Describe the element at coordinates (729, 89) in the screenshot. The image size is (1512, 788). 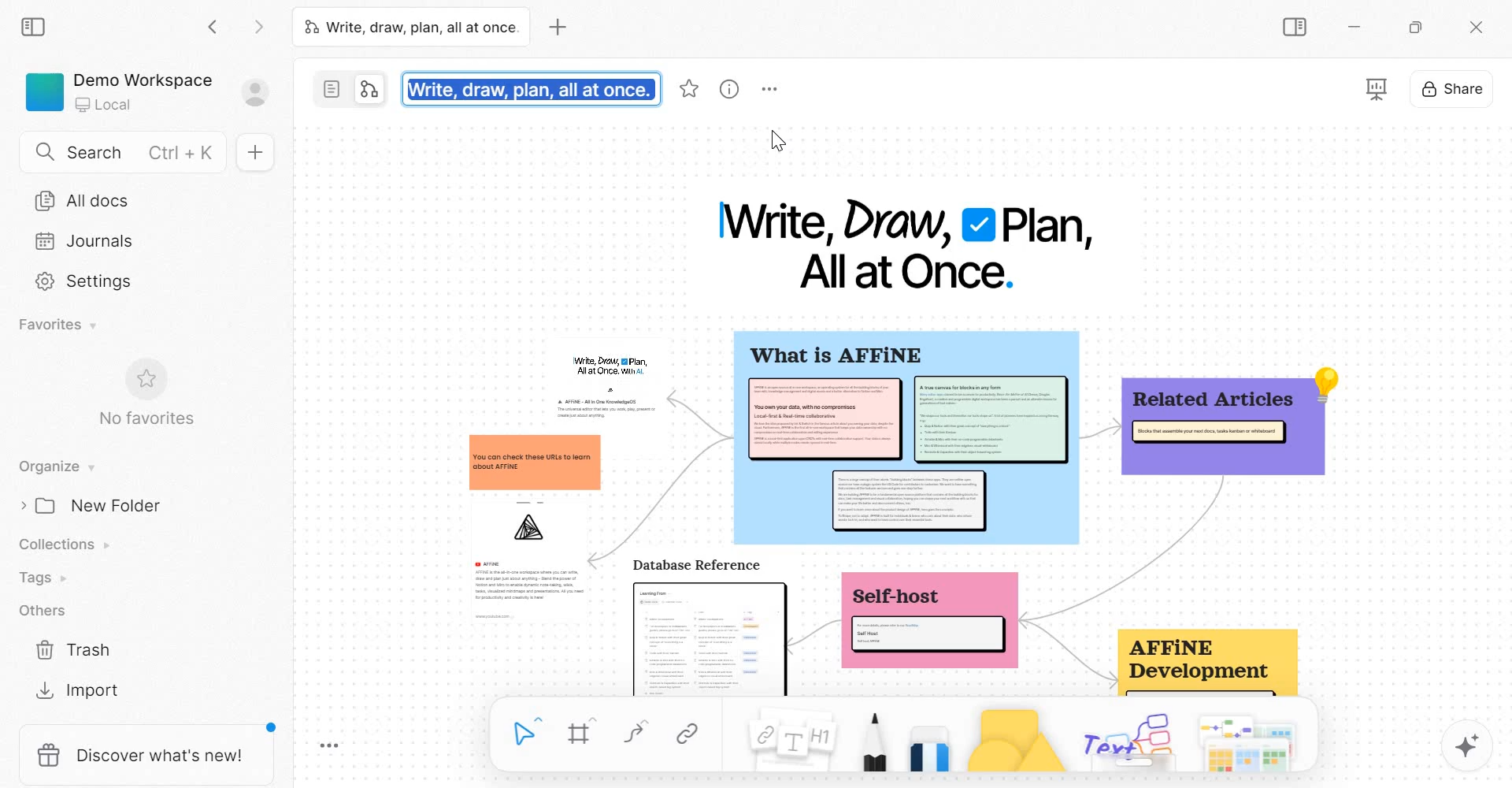
I see `view information` at that location.